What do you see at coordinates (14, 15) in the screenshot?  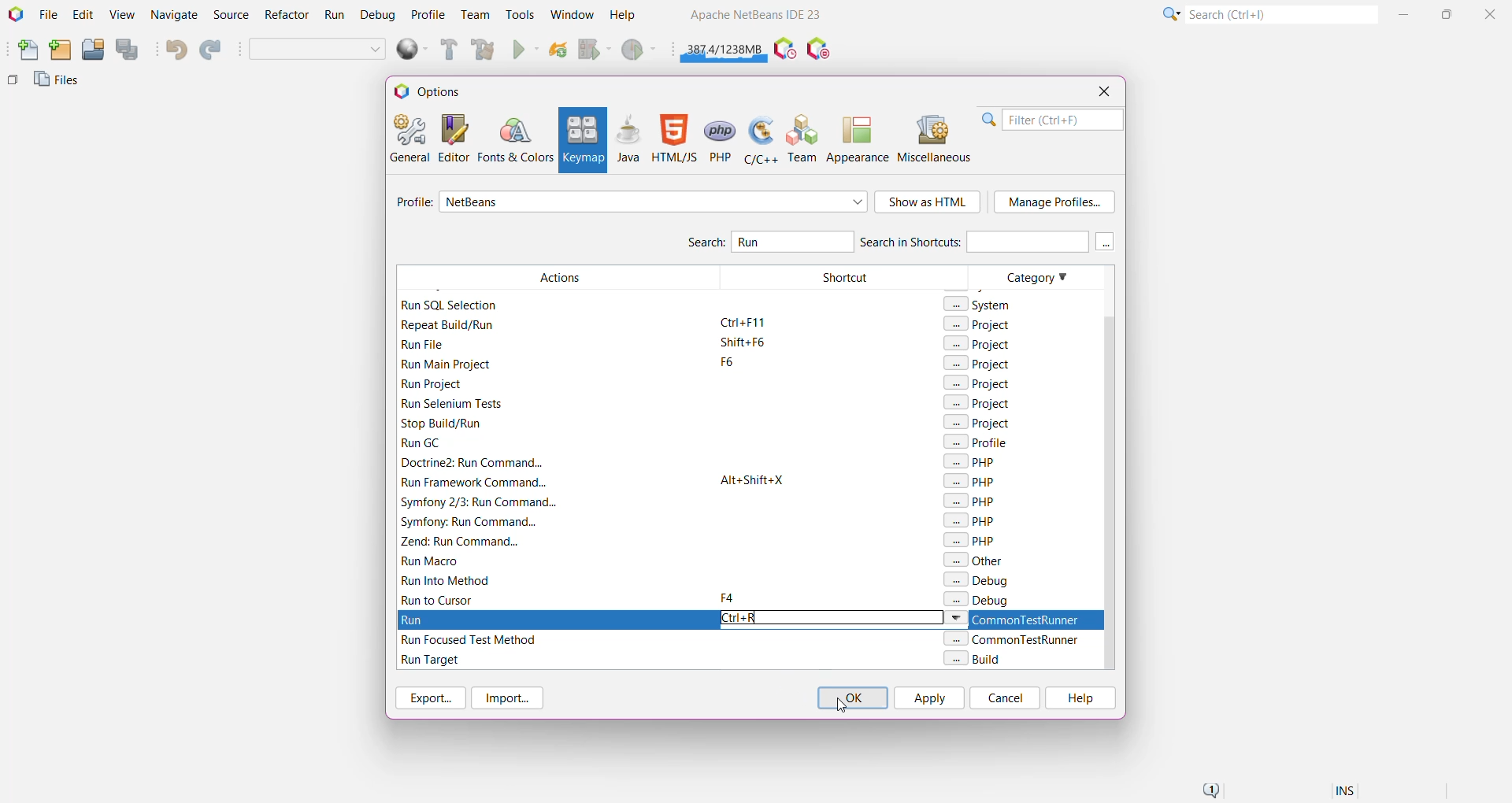 I see `Application Logo` at bounding box center [14, 15].